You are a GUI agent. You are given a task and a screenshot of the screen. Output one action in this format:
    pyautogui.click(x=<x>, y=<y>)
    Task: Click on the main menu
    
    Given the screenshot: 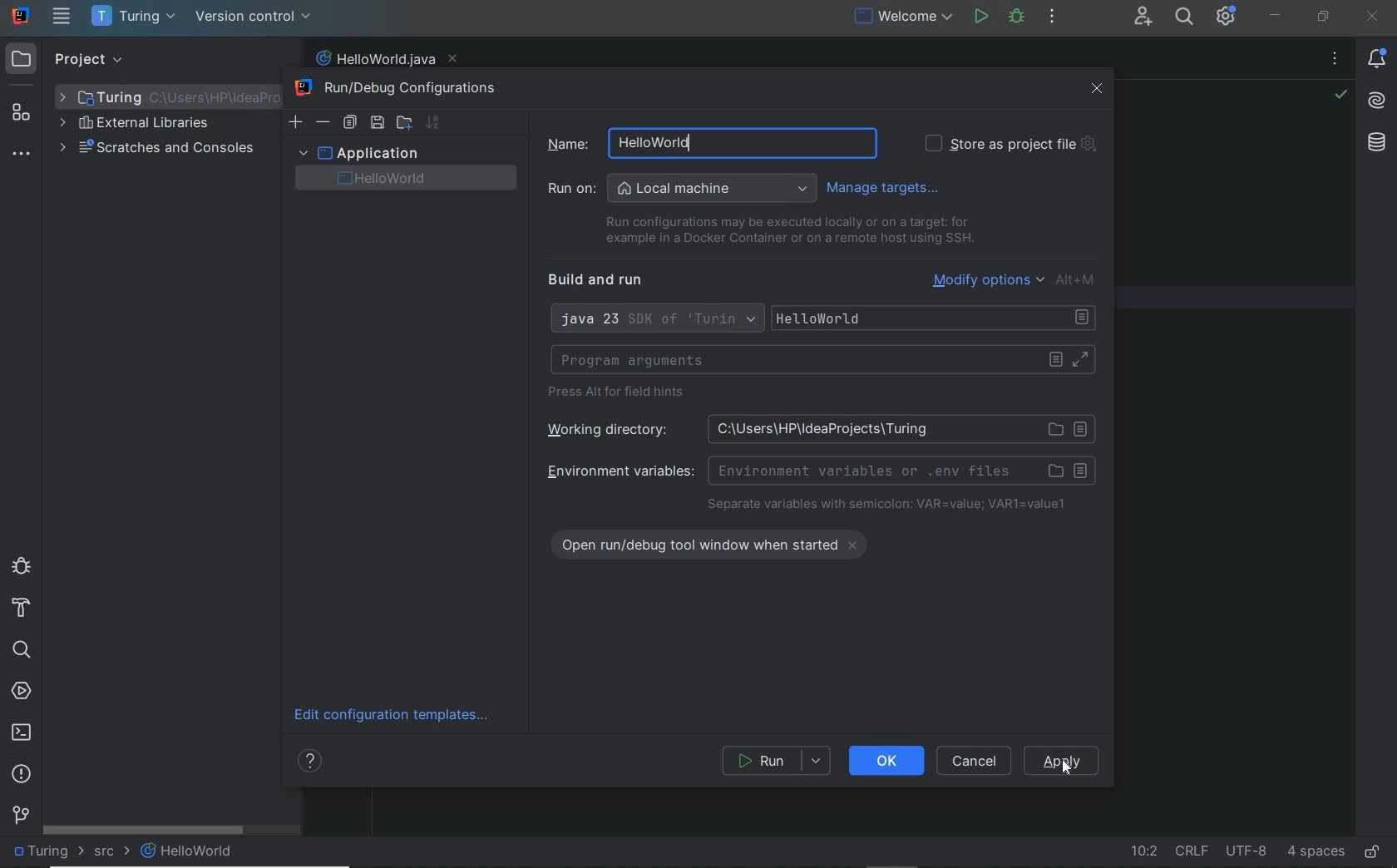 What is the action you would take?
    pyautogui.click(x=62, y=16)
    